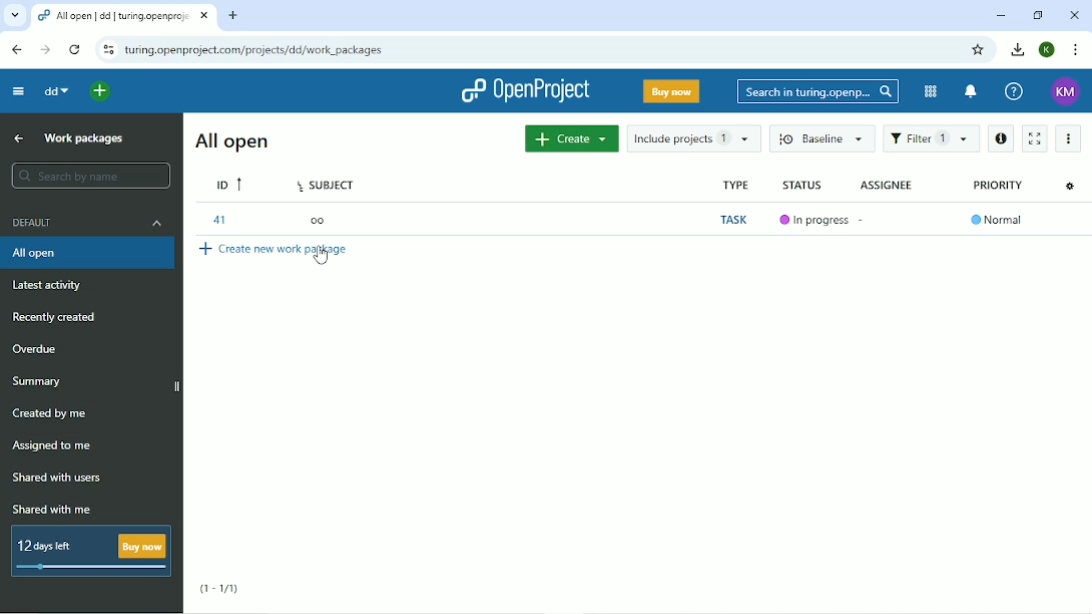 The width and height of the screenshot is (1092, 614). Describe the element at coordinates (89, 254) in the screenshot. I see `All open` at that location.